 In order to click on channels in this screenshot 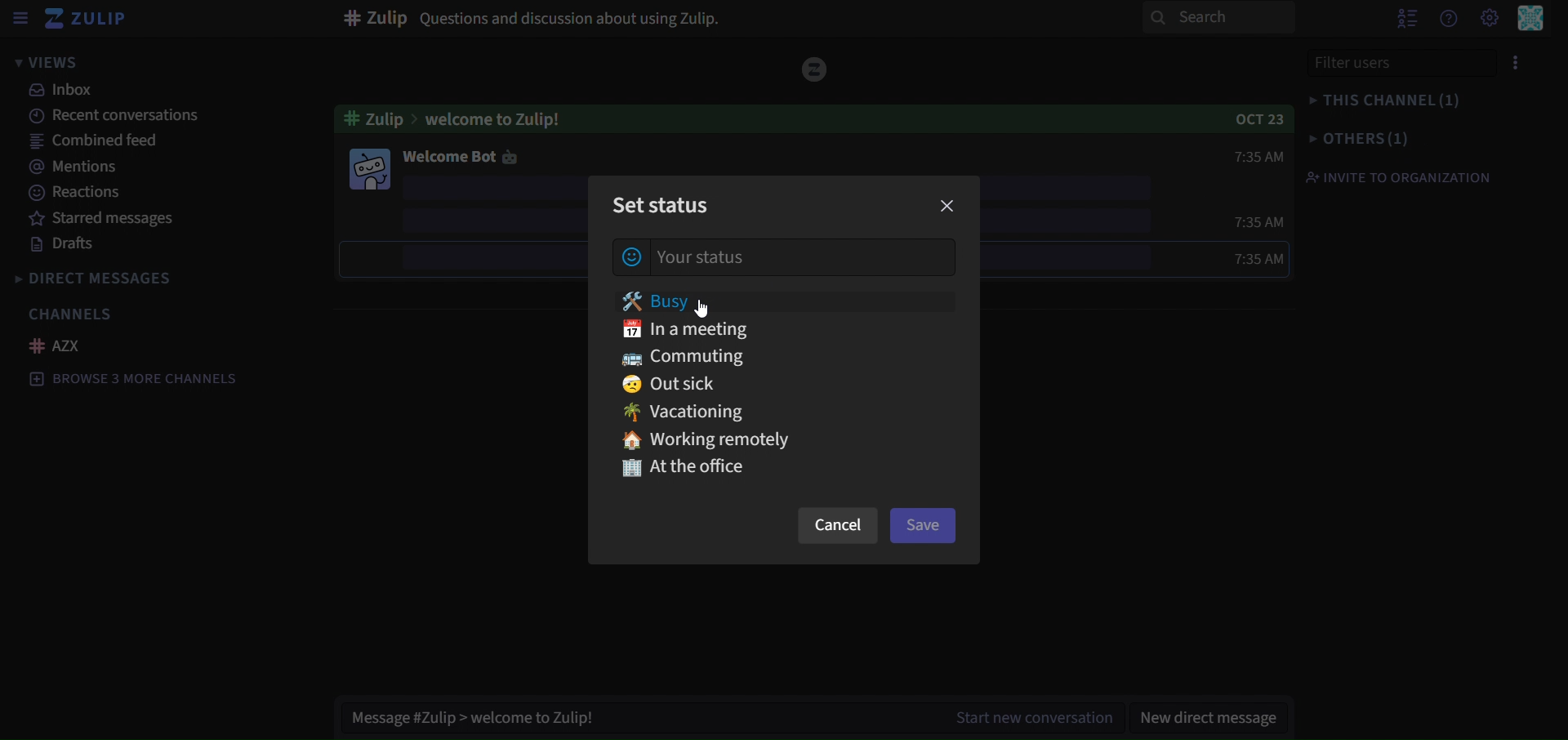, I will do `click(74, 314)`.